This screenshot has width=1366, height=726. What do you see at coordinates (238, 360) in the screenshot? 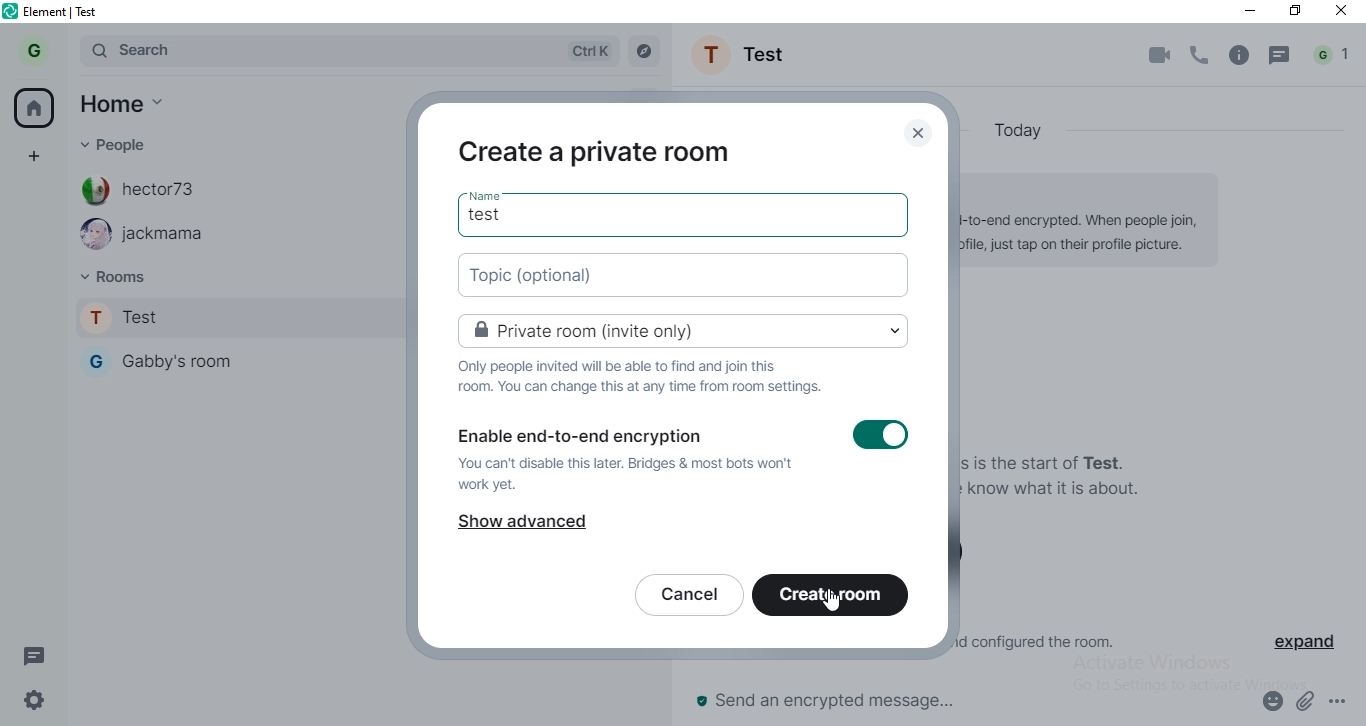
I see `gabby's room` at bounding box center [238, 360].